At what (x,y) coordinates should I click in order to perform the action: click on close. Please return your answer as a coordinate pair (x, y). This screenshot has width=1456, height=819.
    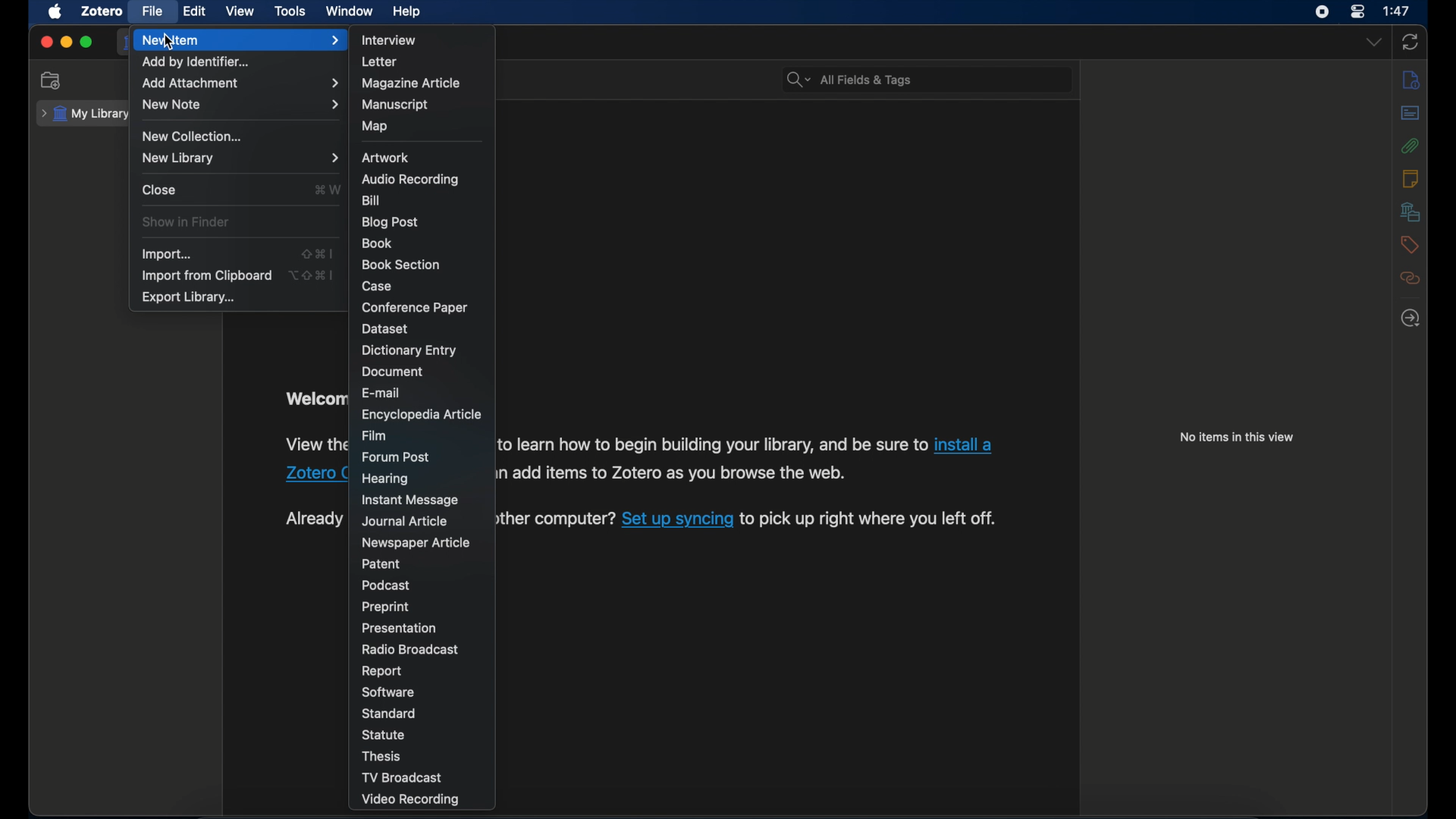
    Looking at the image, I should click on (46, 41).